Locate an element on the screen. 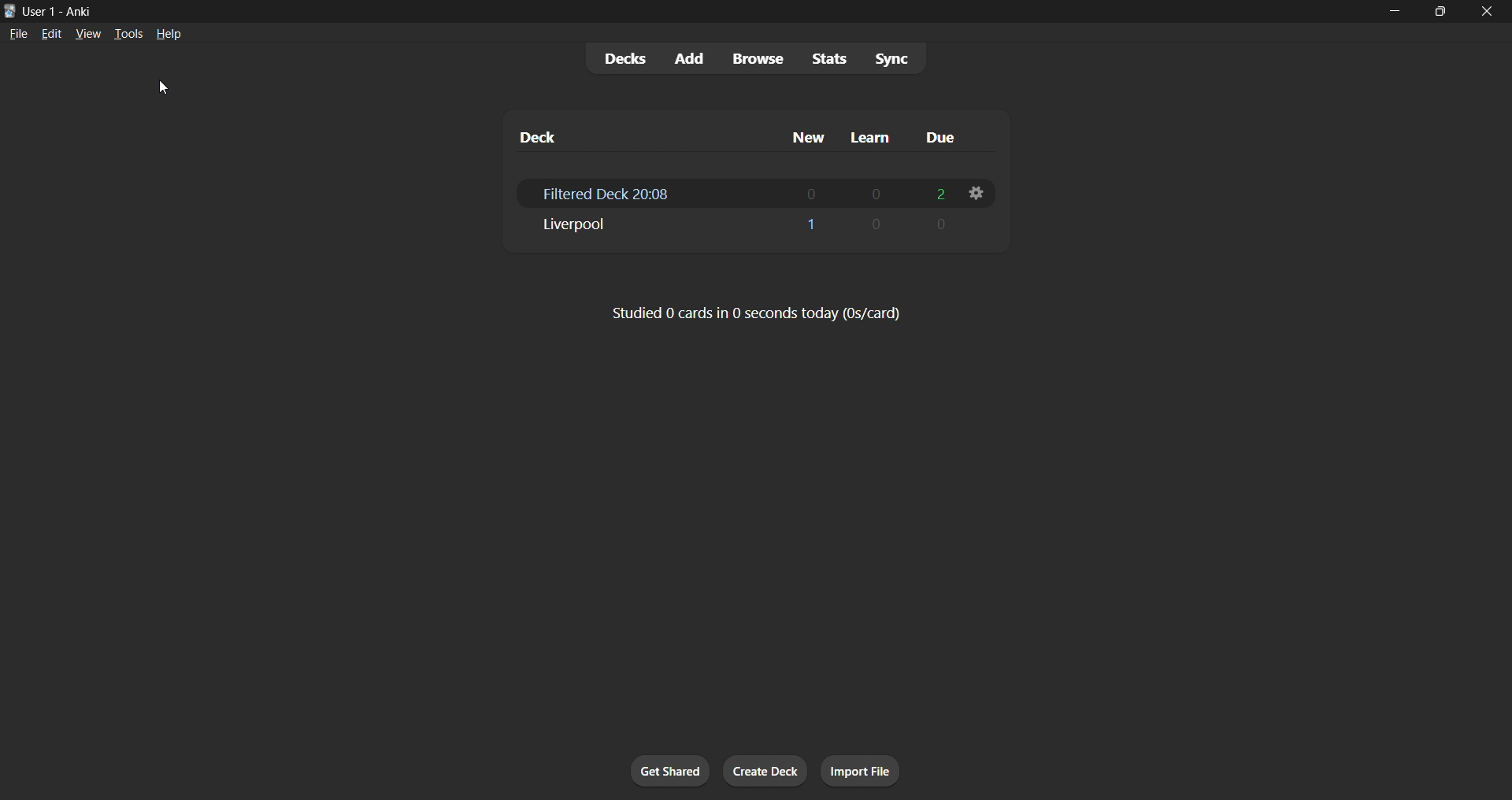 The width and height of the screenshot is (1512, 800). cursor is located at coordinates (169, 88).